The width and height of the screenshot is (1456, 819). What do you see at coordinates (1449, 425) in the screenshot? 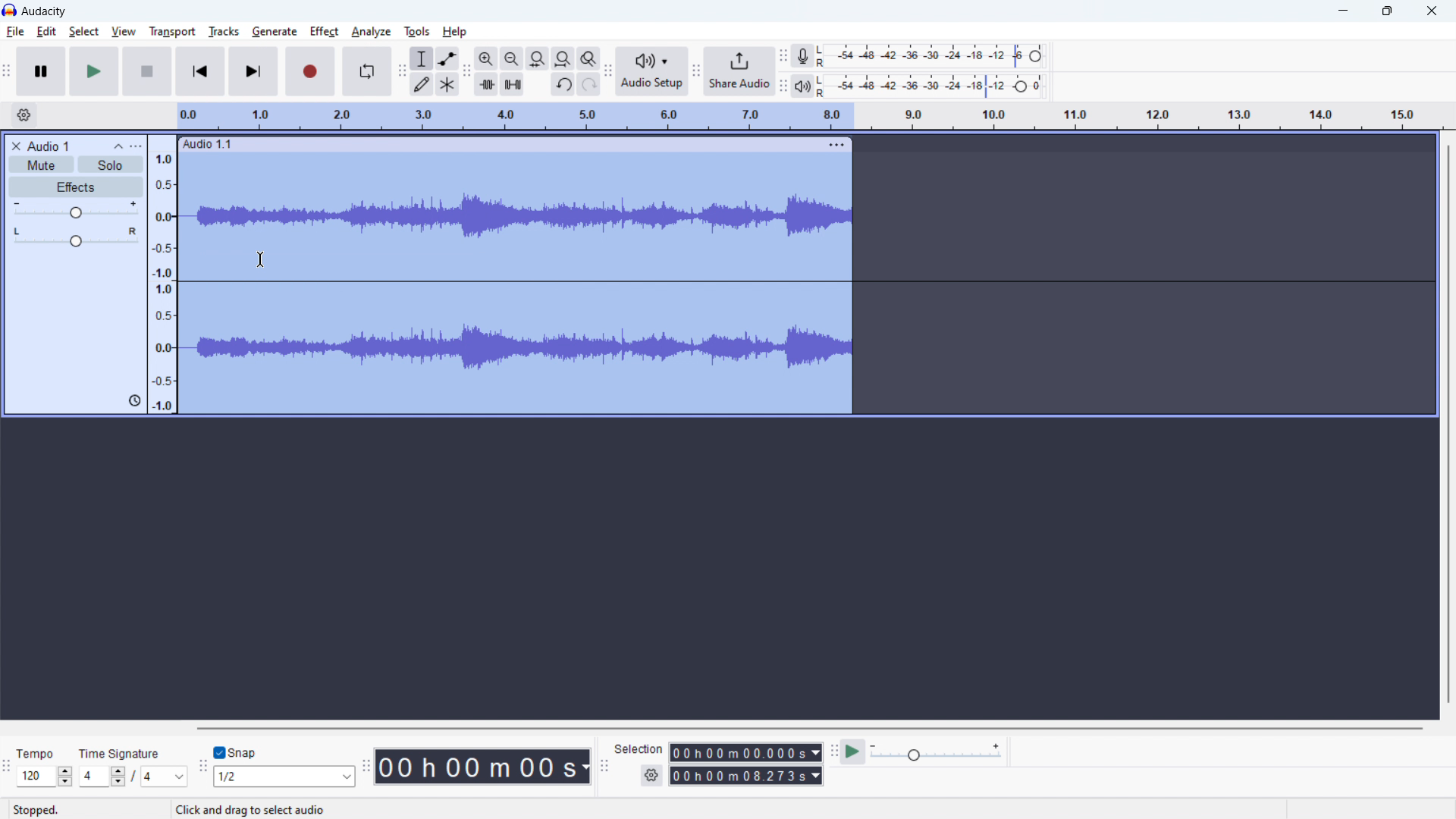
I see `vertical scrollbar` at bounding box center [1449, 425].